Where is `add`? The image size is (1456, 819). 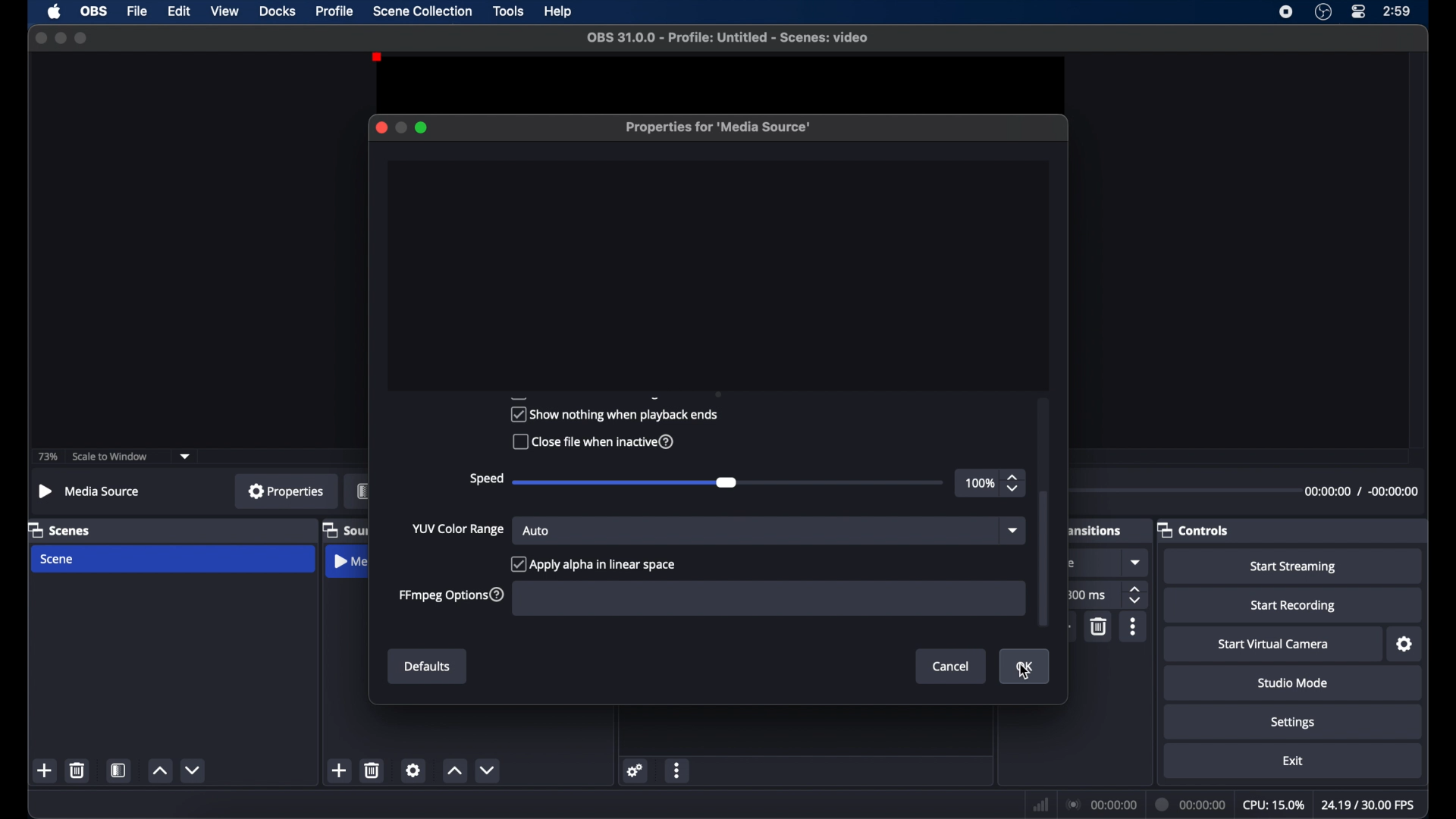
add is located at coordinates (44, 770).